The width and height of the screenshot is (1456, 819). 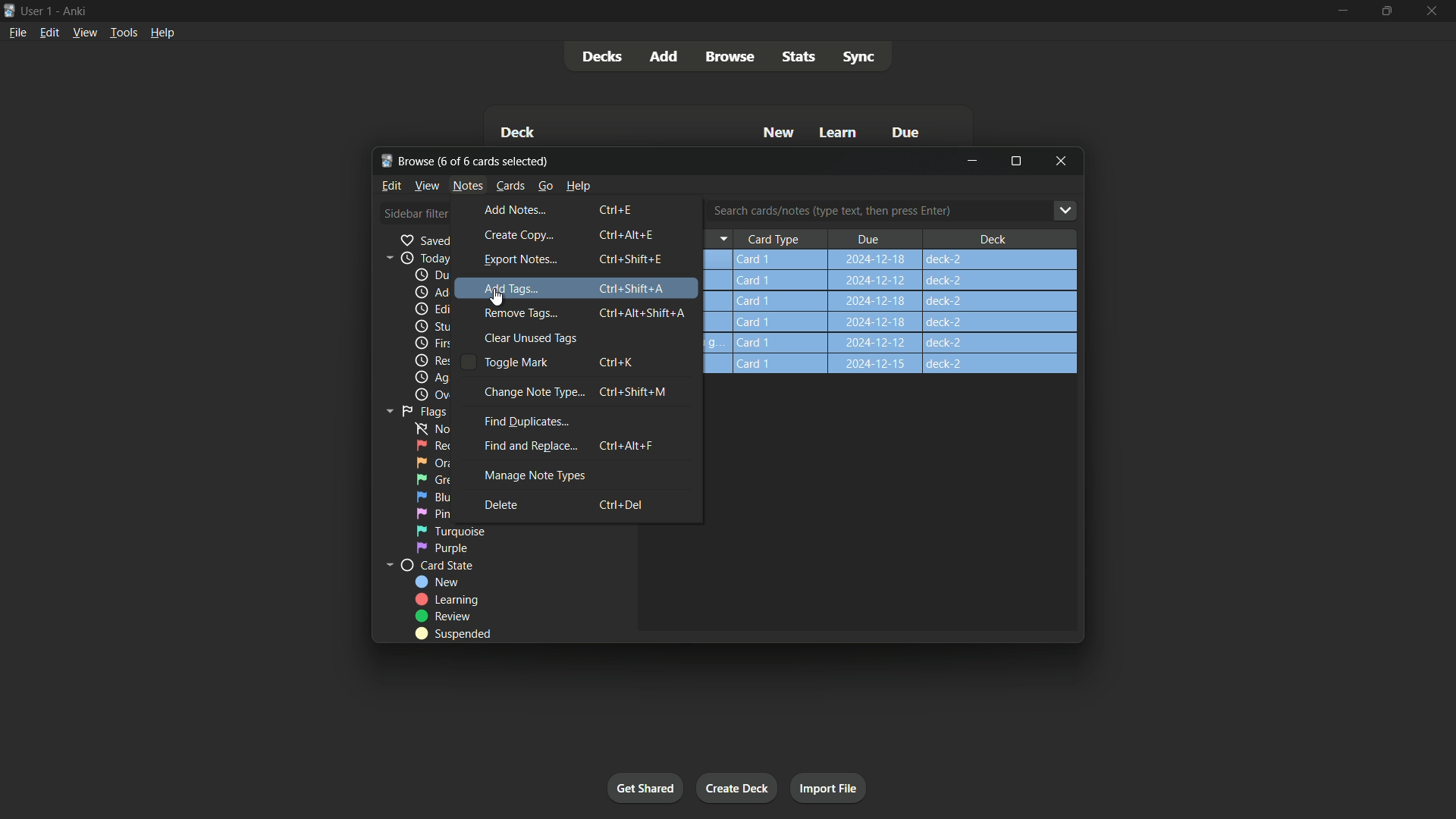 What do you see at coordinates (431, 293) in the screenshot?
I see `added` at bounding box center [431, 293].